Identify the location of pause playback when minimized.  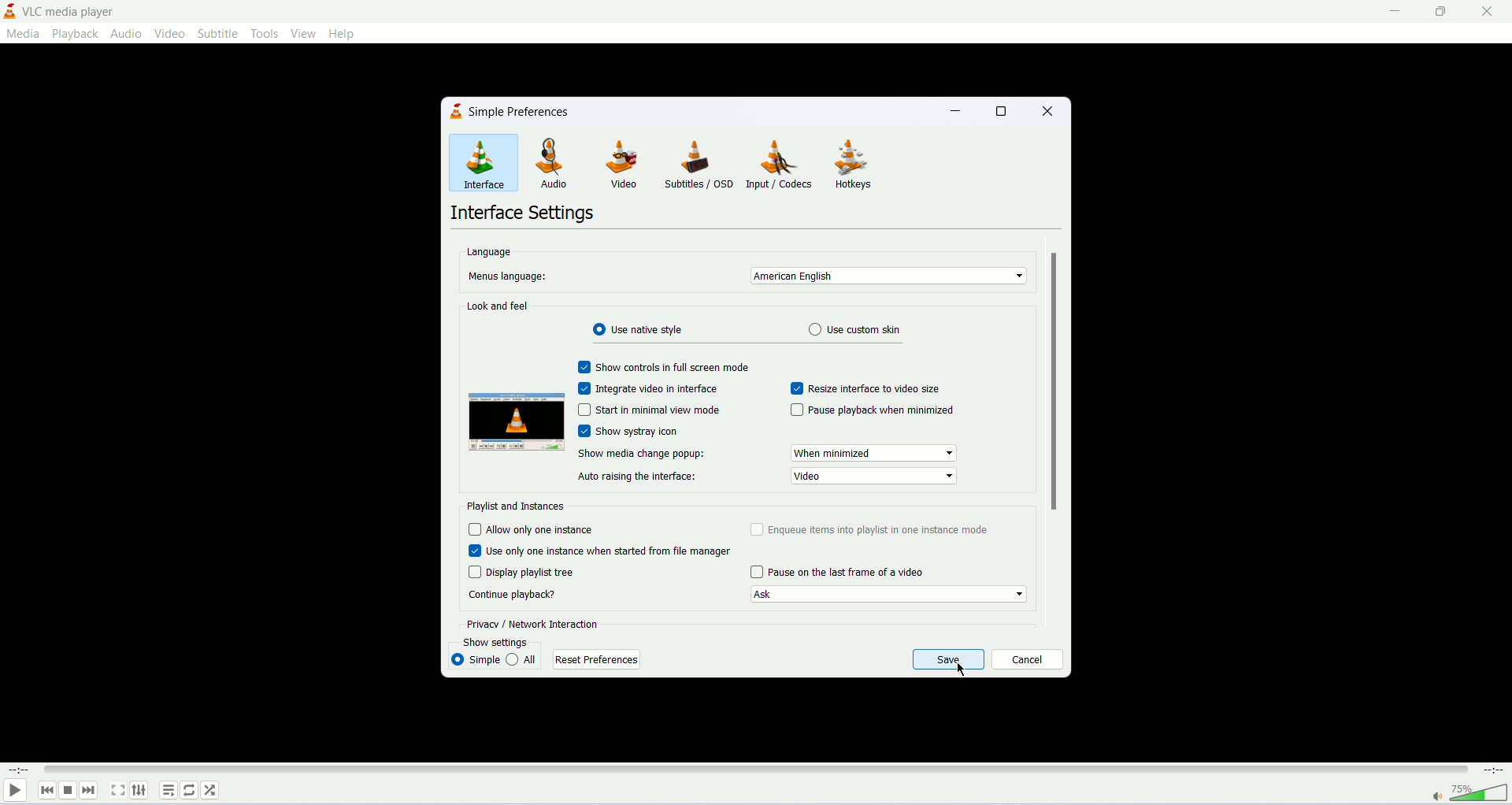
(872, 410).